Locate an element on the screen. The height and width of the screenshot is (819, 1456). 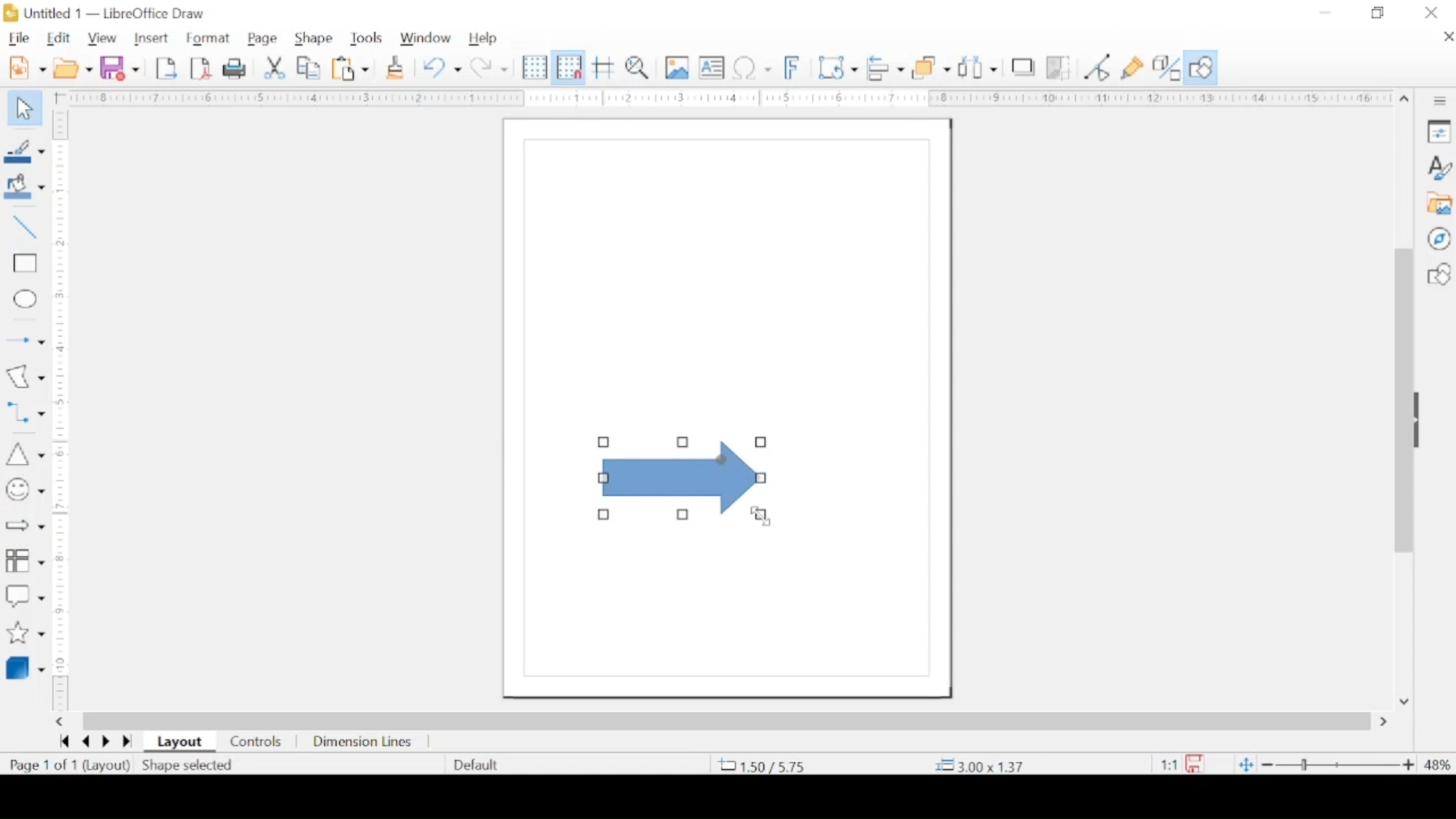
margin is located at coordinates (720, 98).